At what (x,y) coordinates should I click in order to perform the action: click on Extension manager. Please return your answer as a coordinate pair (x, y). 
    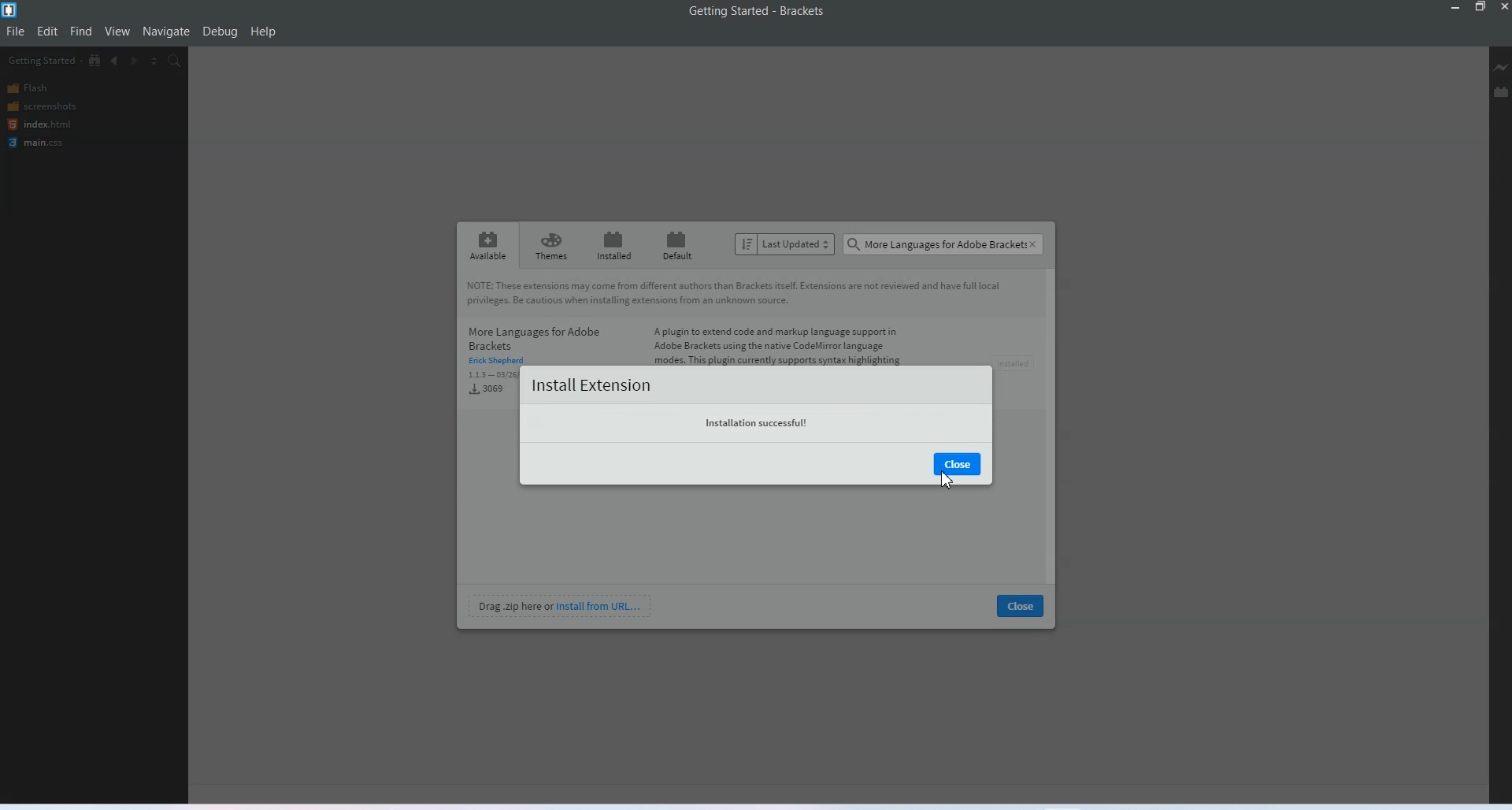
    Looking at the image, I should click on (1501, 91).